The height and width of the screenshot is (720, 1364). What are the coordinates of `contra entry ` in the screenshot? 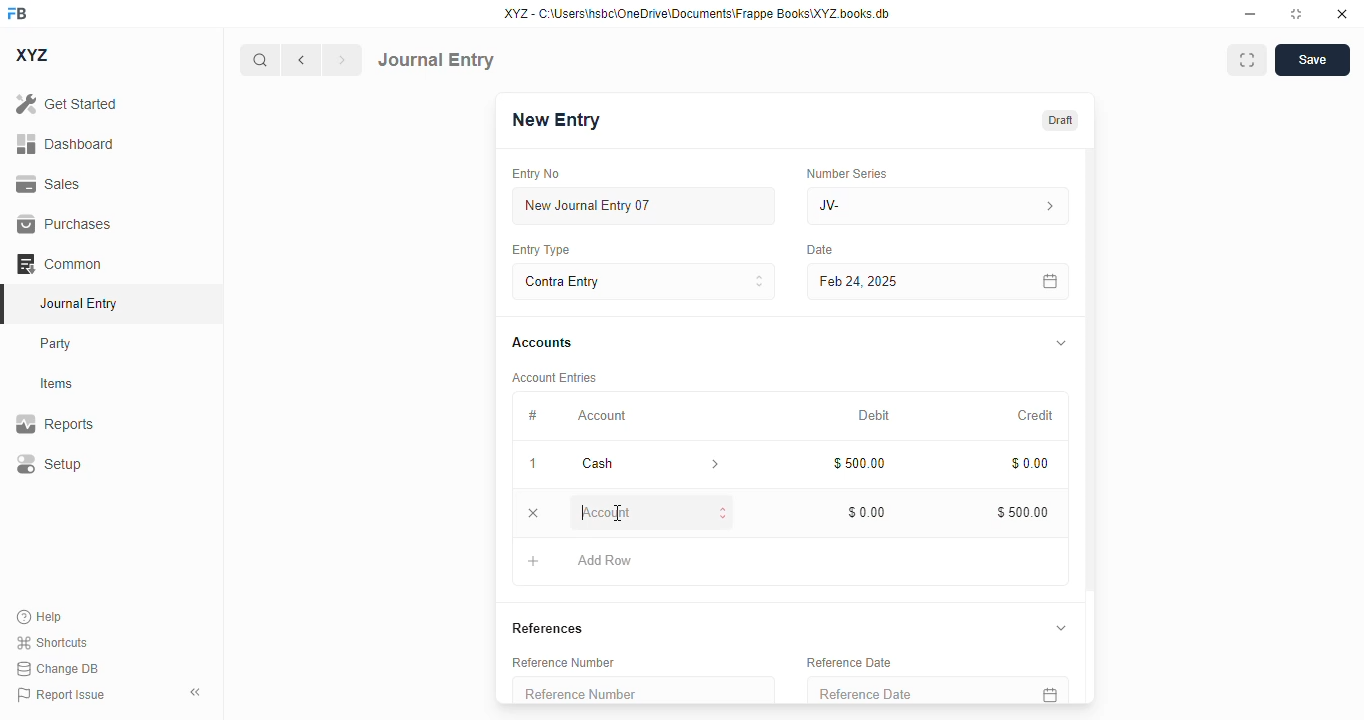 It's located at (643, 280).